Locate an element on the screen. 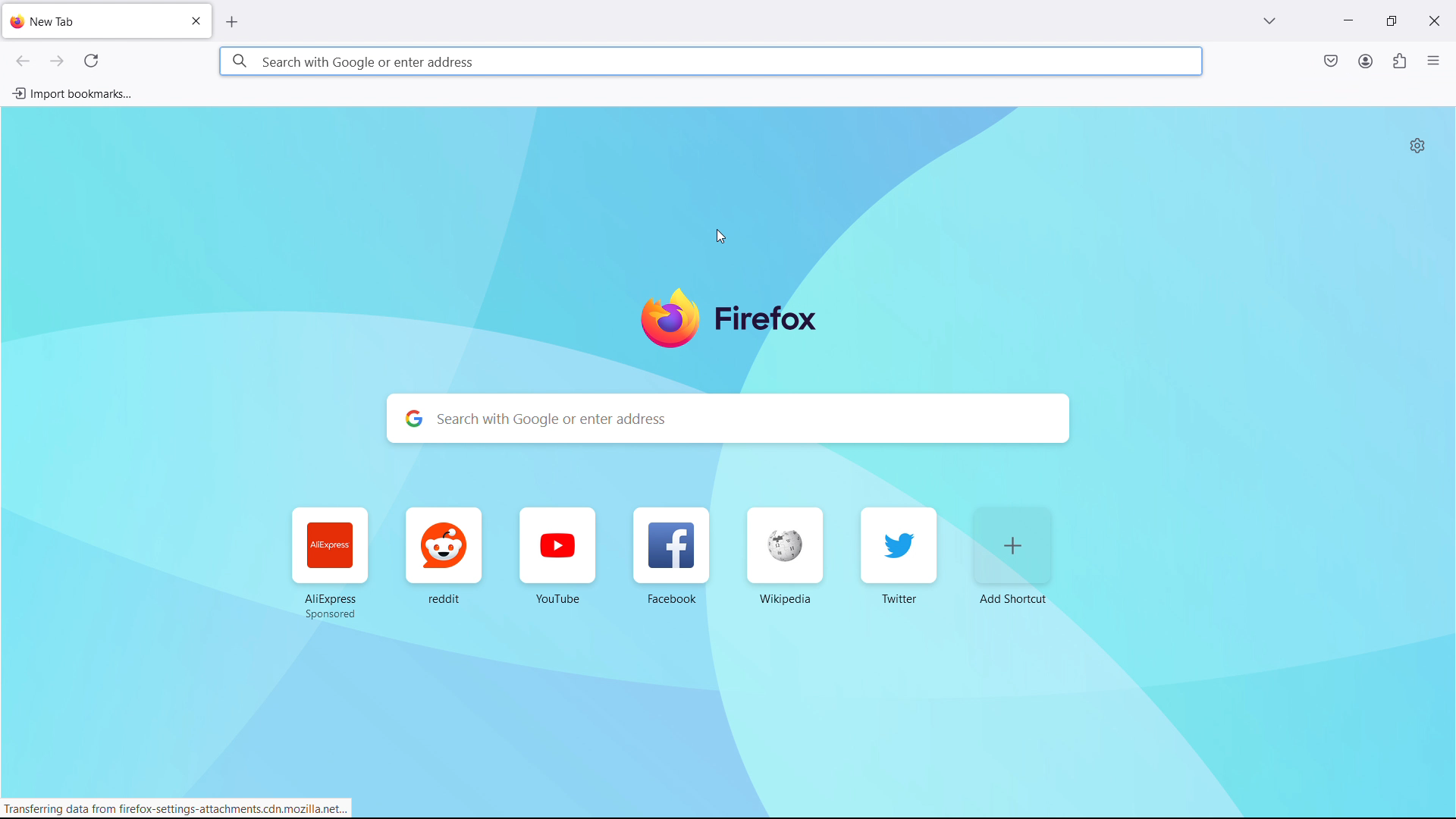 The height and width of the screenshot is (819, 1456). close tab is located at coordinates (238, 21).